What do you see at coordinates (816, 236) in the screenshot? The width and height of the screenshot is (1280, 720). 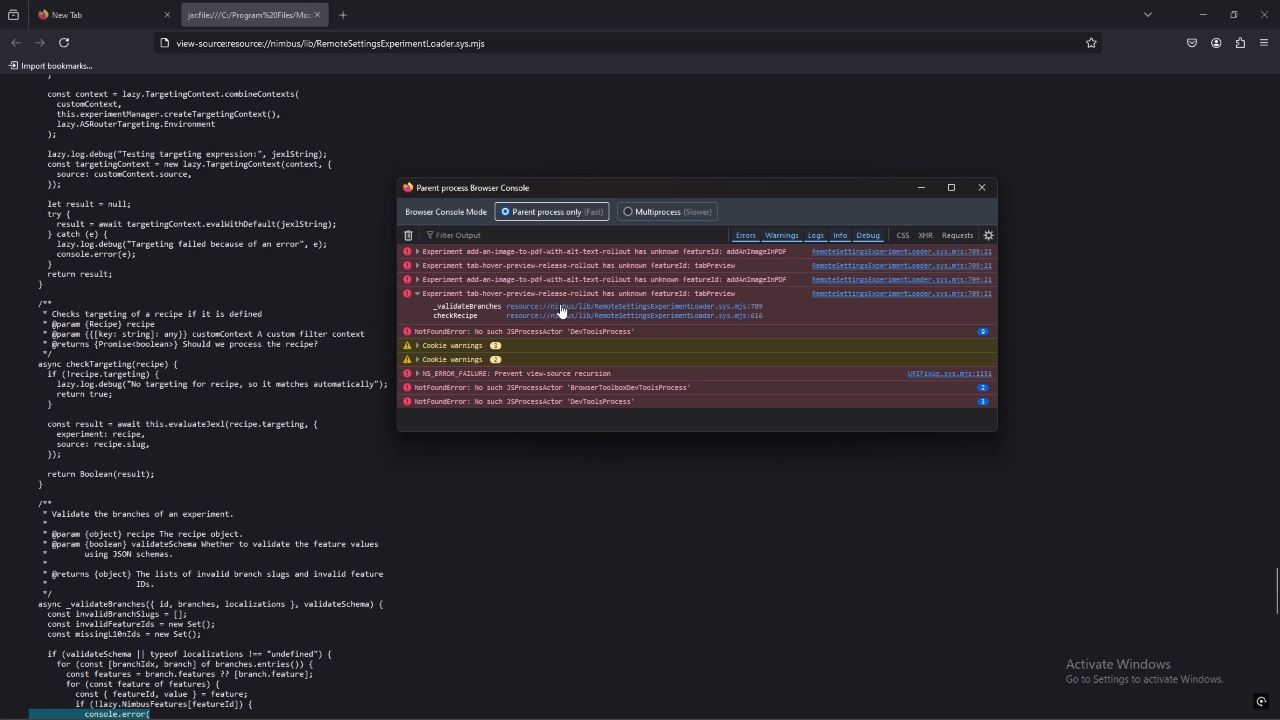 I see `logs` at bounding box center [816, 236].